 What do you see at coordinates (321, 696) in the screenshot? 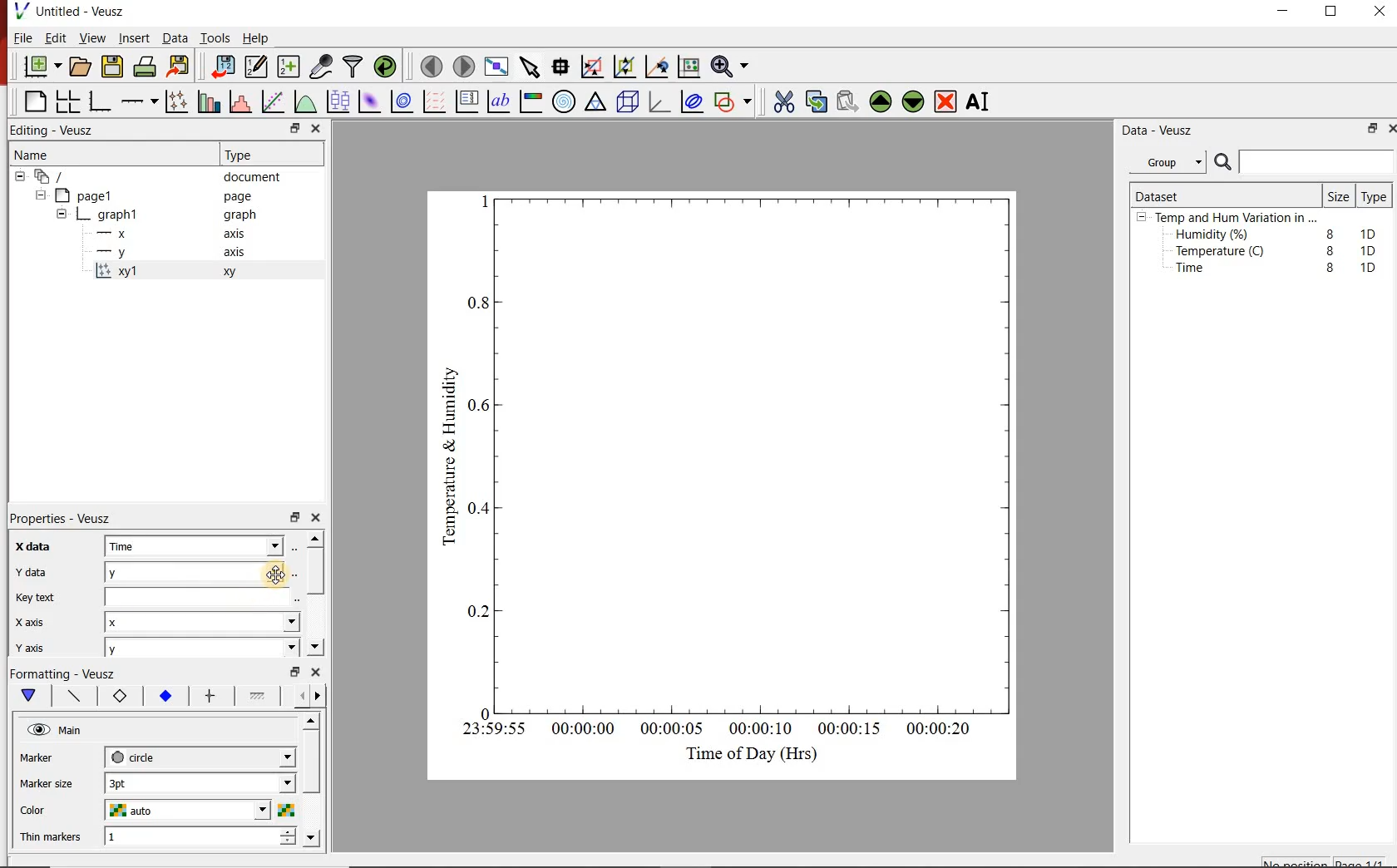
I see `go forward` at bounding box center [321, 696].